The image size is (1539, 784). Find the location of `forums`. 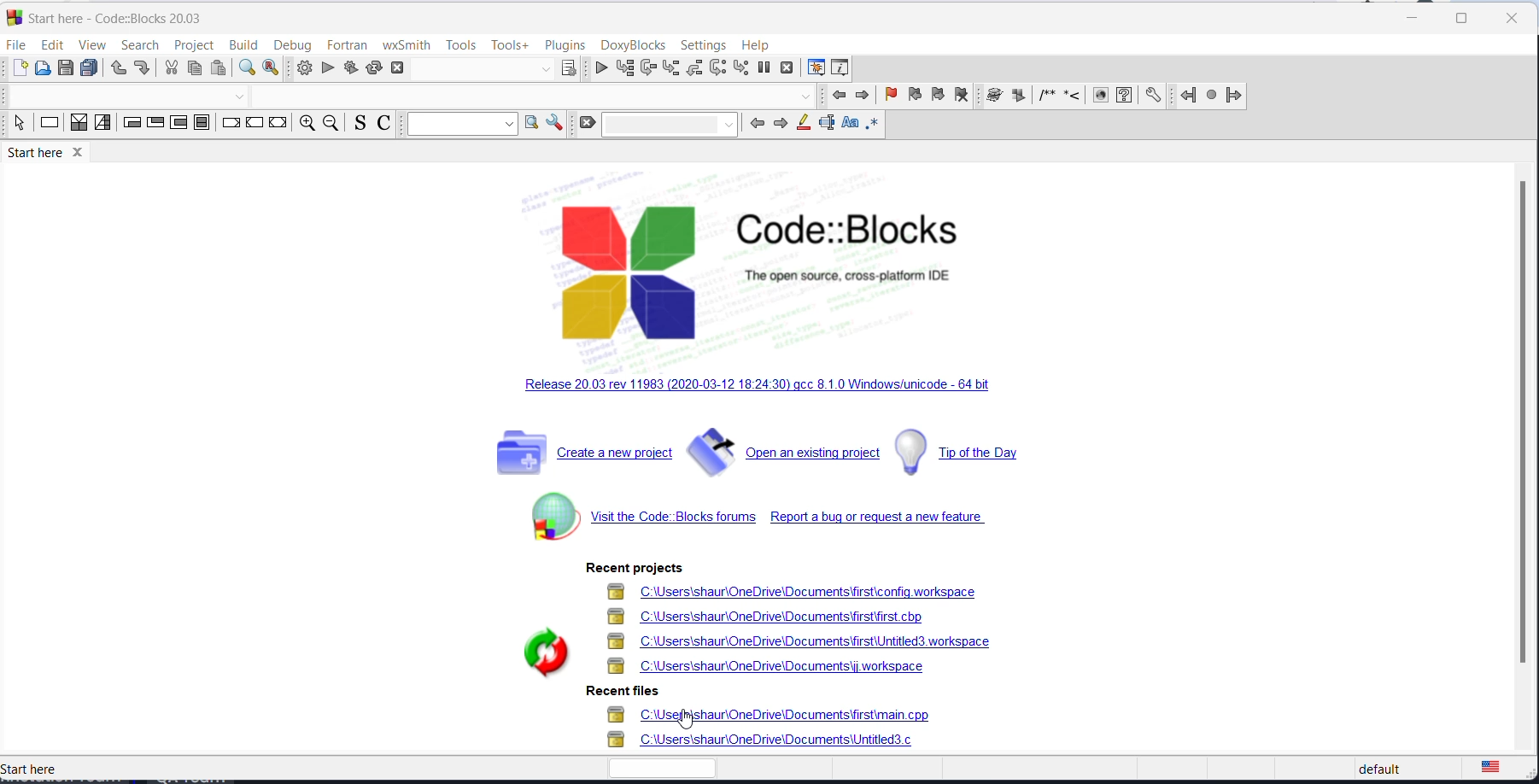

forums is located at coordinates (638, 518).